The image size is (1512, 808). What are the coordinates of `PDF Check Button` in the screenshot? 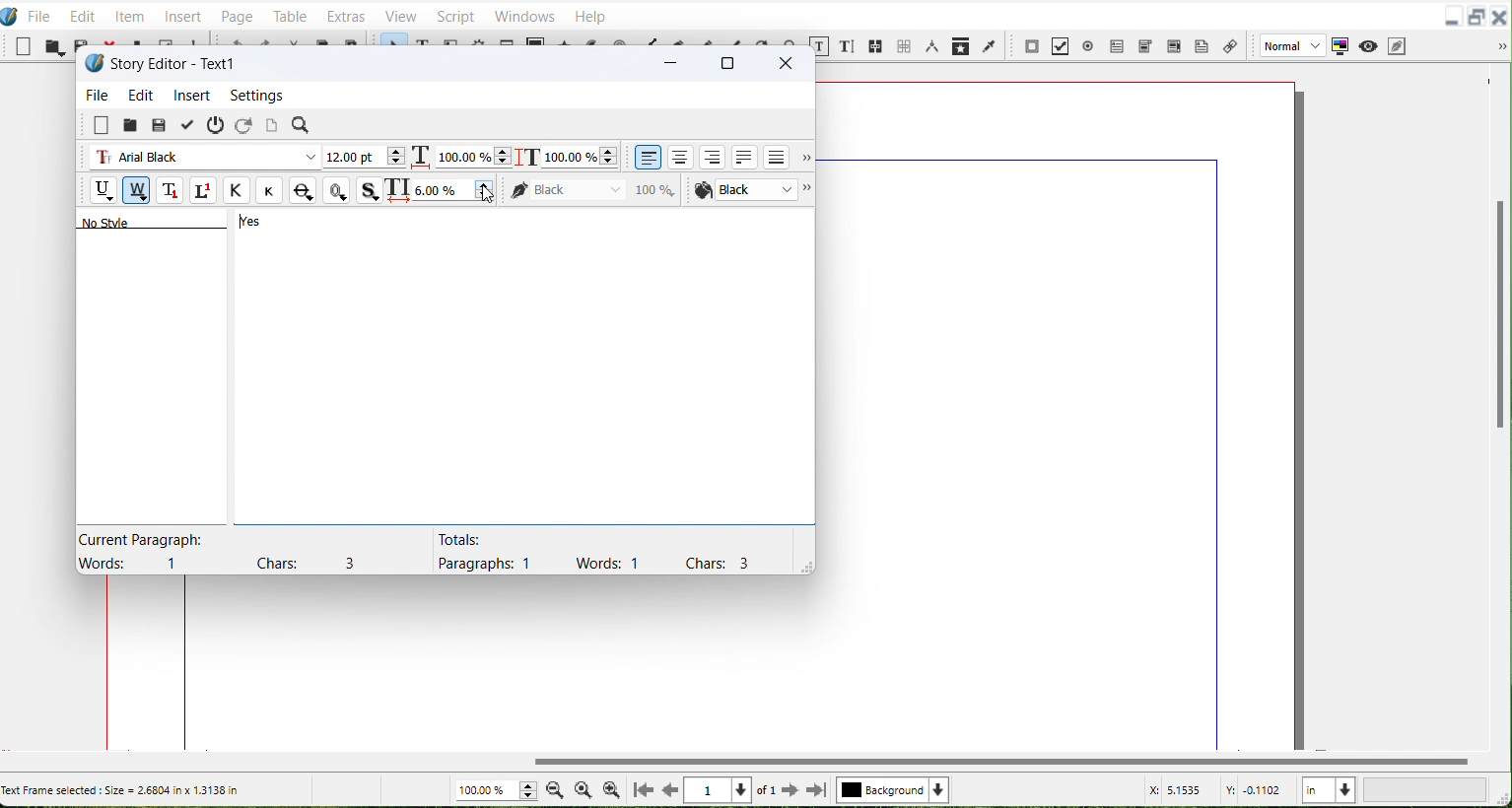 It's located at (1063, 45).